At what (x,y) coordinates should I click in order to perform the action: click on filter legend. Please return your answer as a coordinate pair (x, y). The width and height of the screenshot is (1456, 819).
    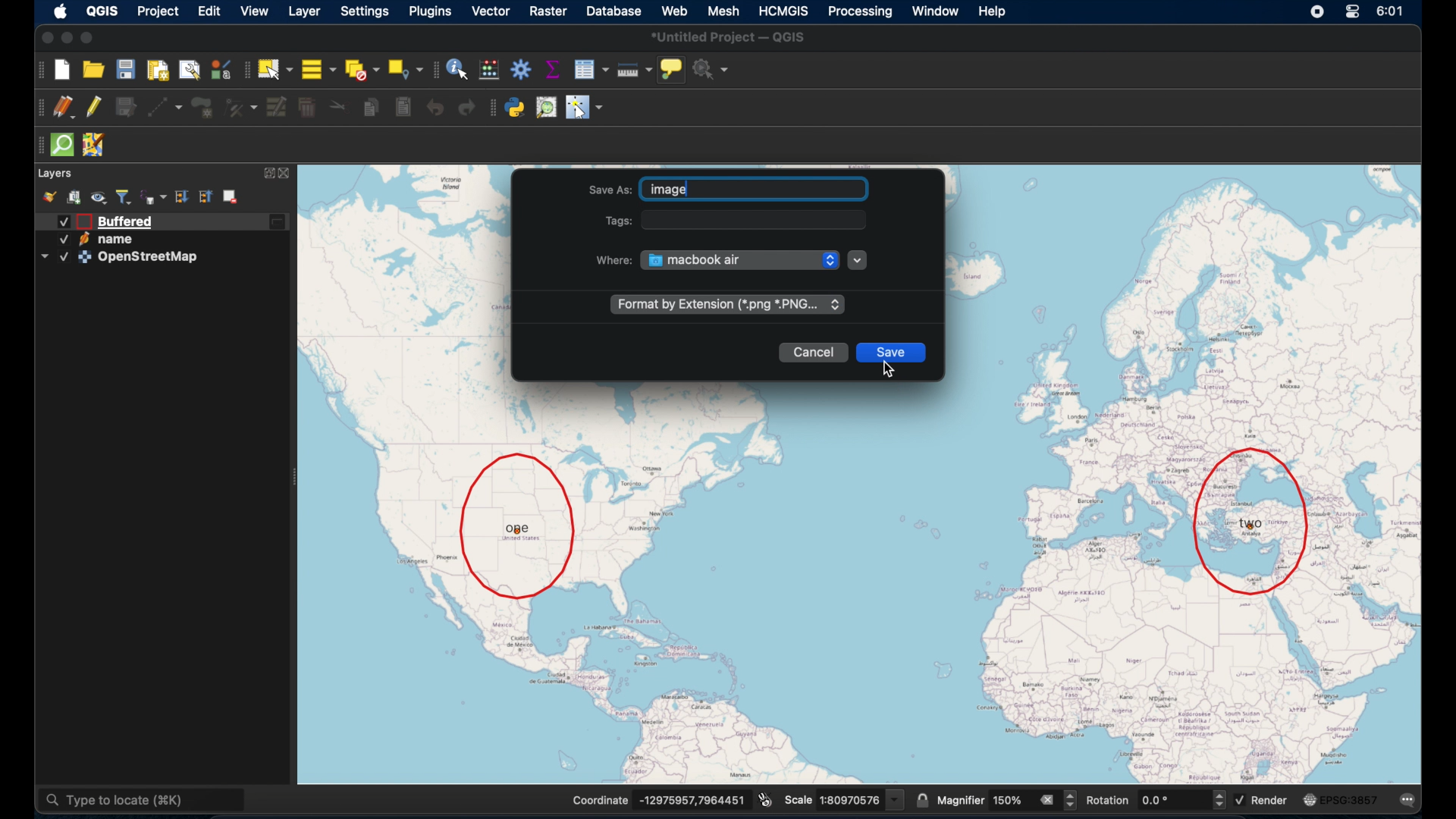
    Looking at the image, I should click on (126, 195).